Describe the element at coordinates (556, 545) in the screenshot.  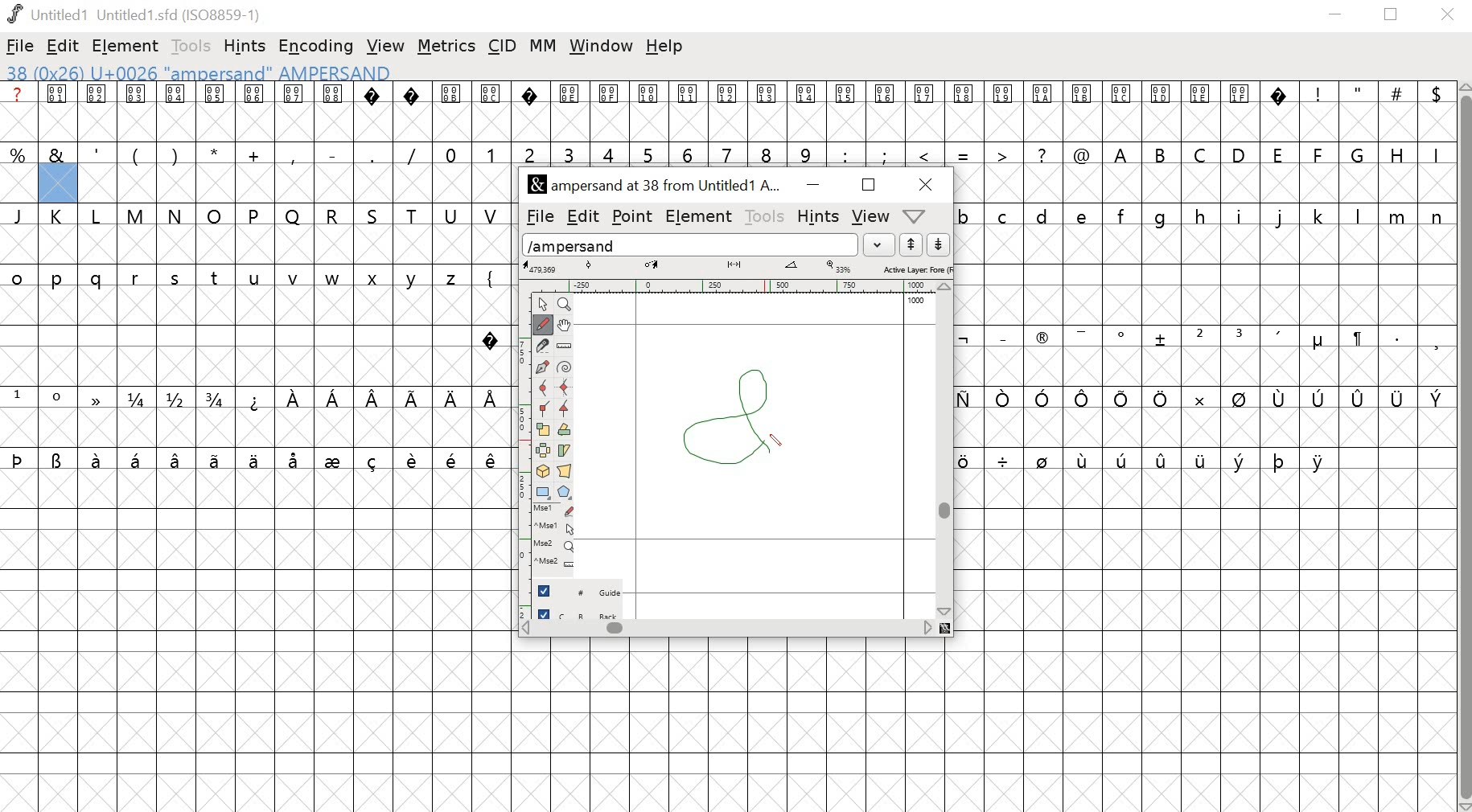
I see `Mse2` at that location.